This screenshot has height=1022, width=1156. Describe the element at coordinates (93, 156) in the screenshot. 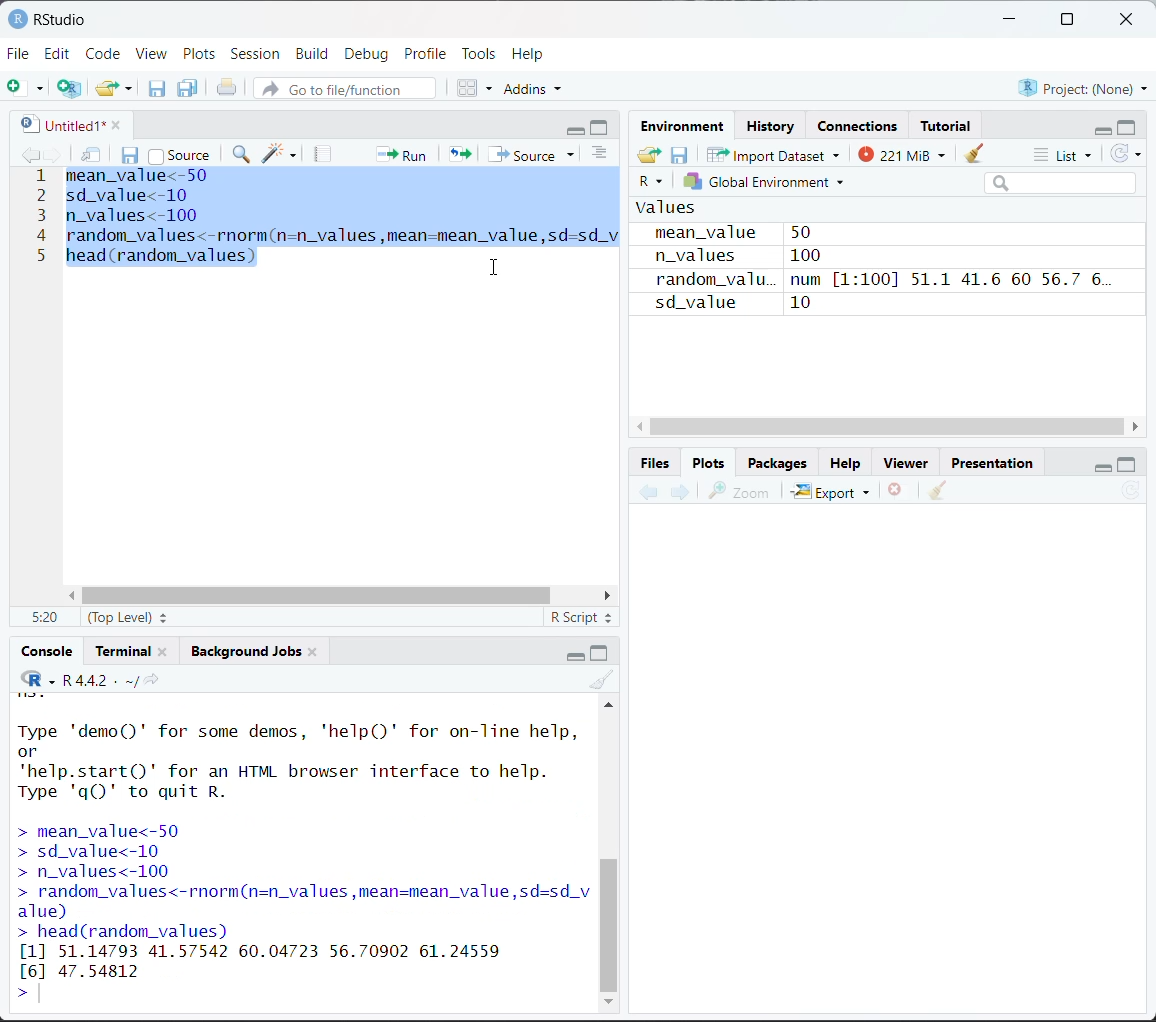

I see `show in new window` at that location.